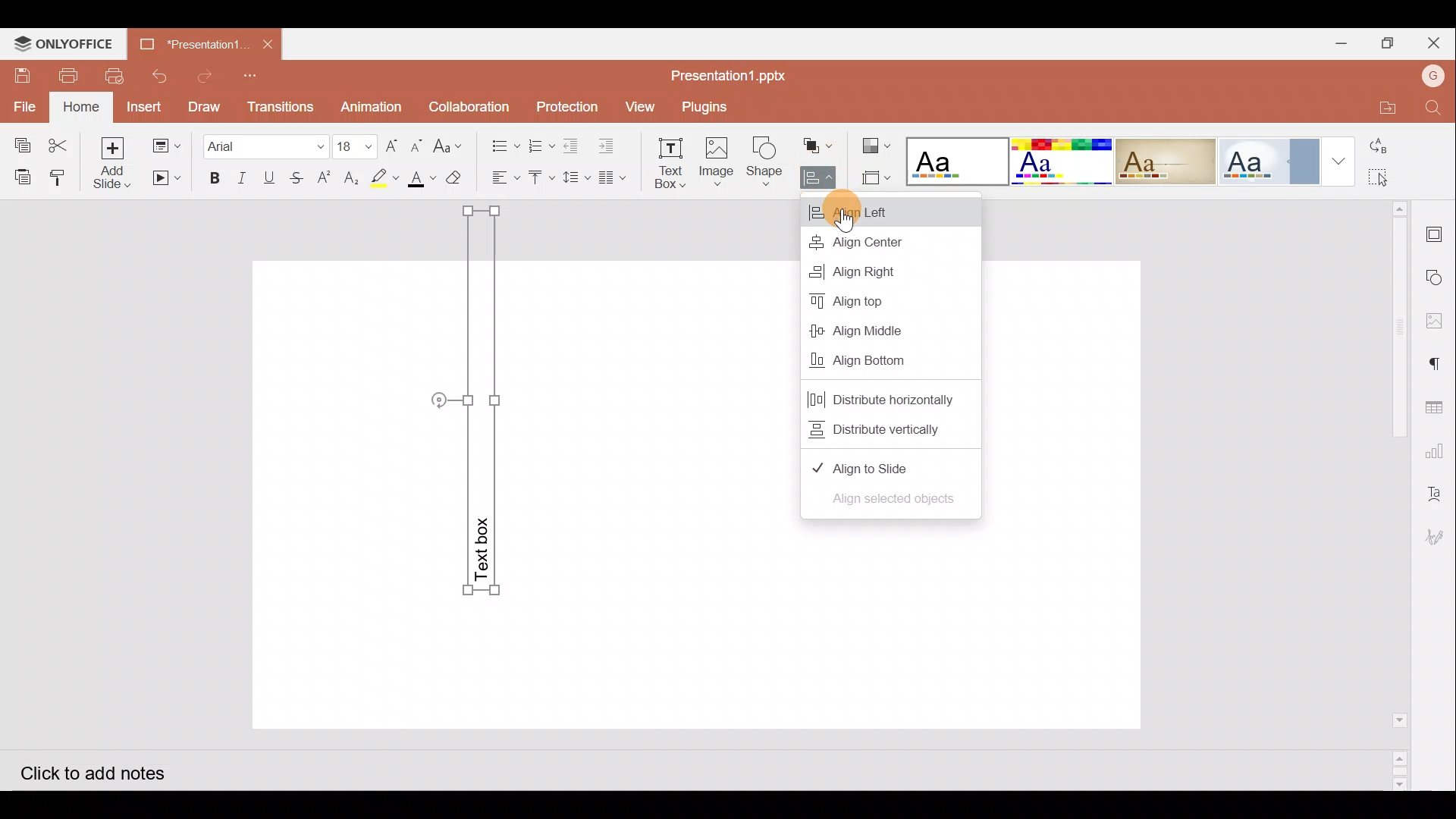  What do you see at coordinates (888, 503) in the screenshot?
I see `Align selected objects` at bounding box center [888, 503].